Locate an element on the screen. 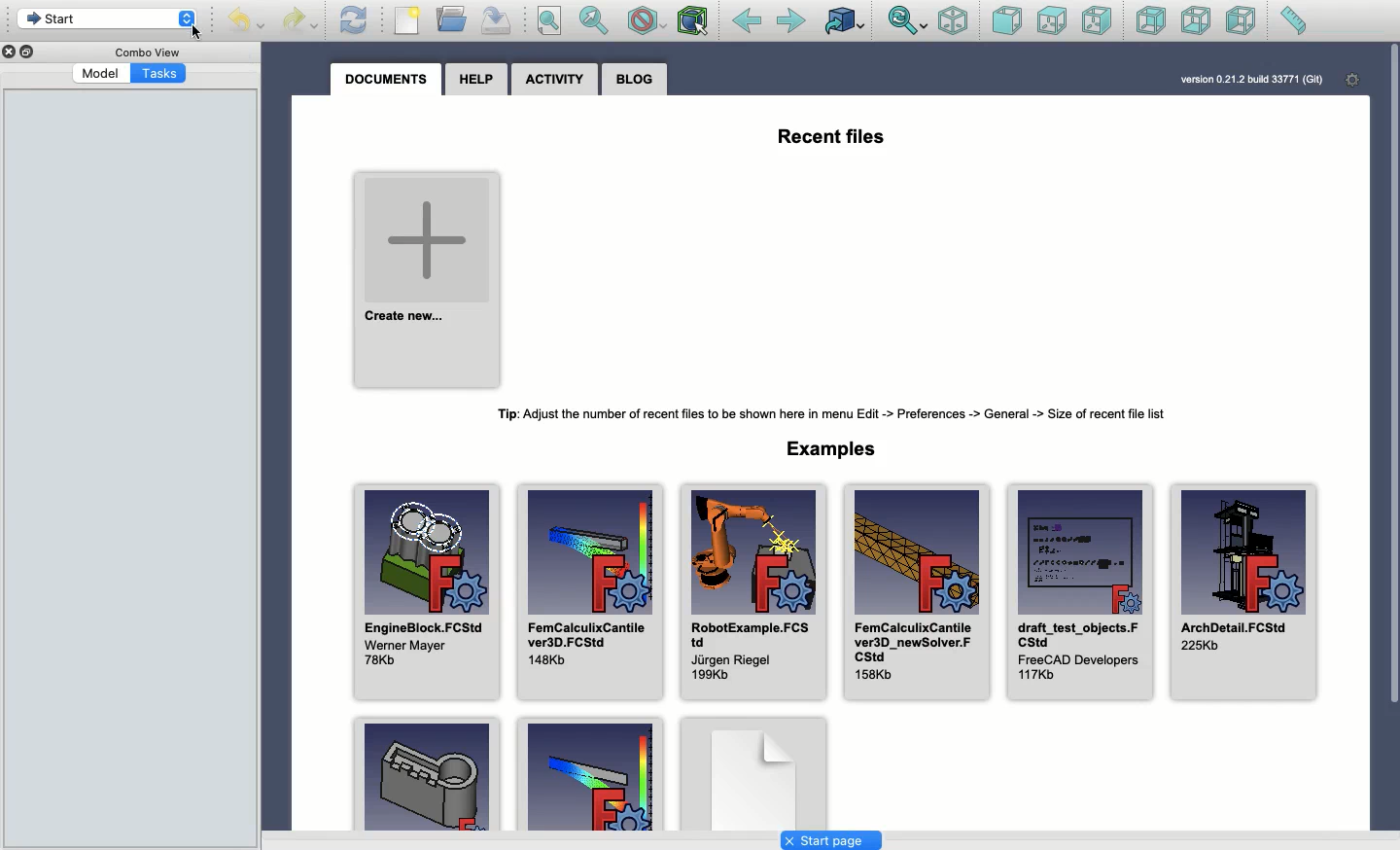 The height and width of the screenshot is (850, 1400). Help is located at coordinates (476, 77).